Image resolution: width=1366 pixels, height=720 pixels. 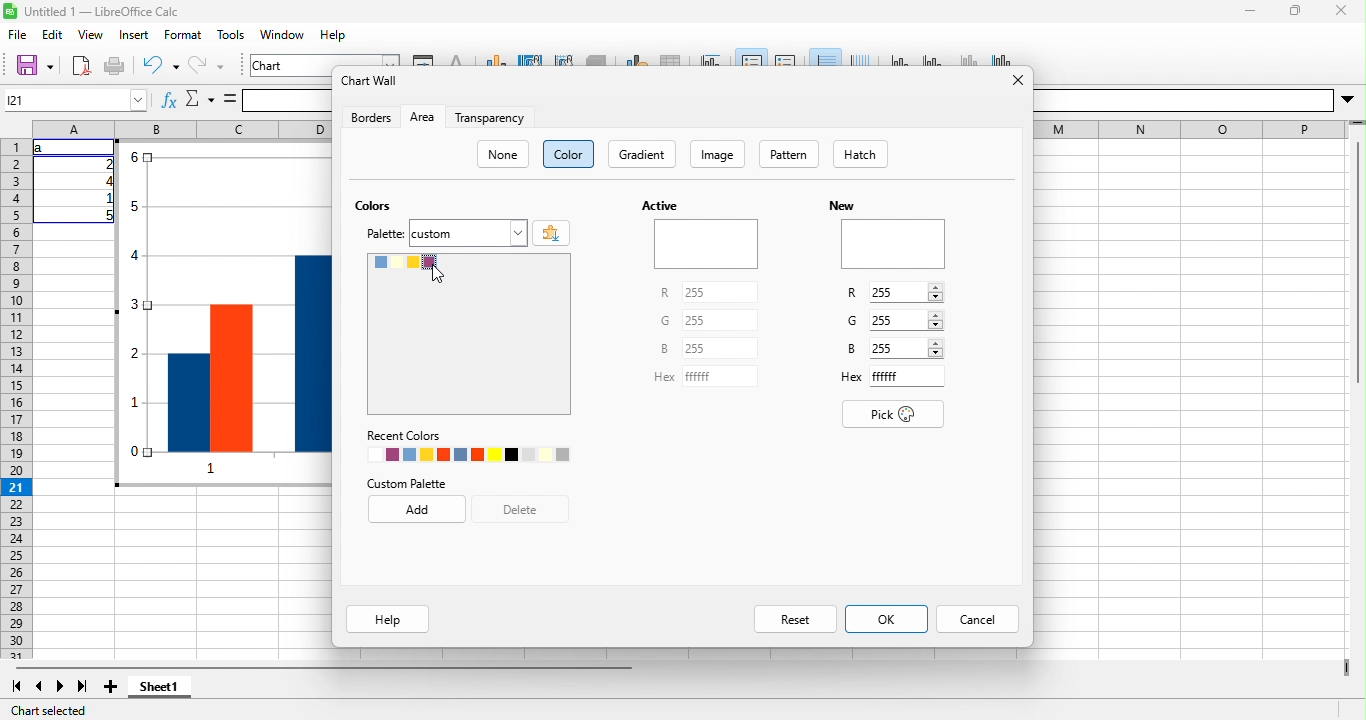 What do you see at coordinates (106, 164) in the screenshot?
I see `2` at bounding box center [106, 164].